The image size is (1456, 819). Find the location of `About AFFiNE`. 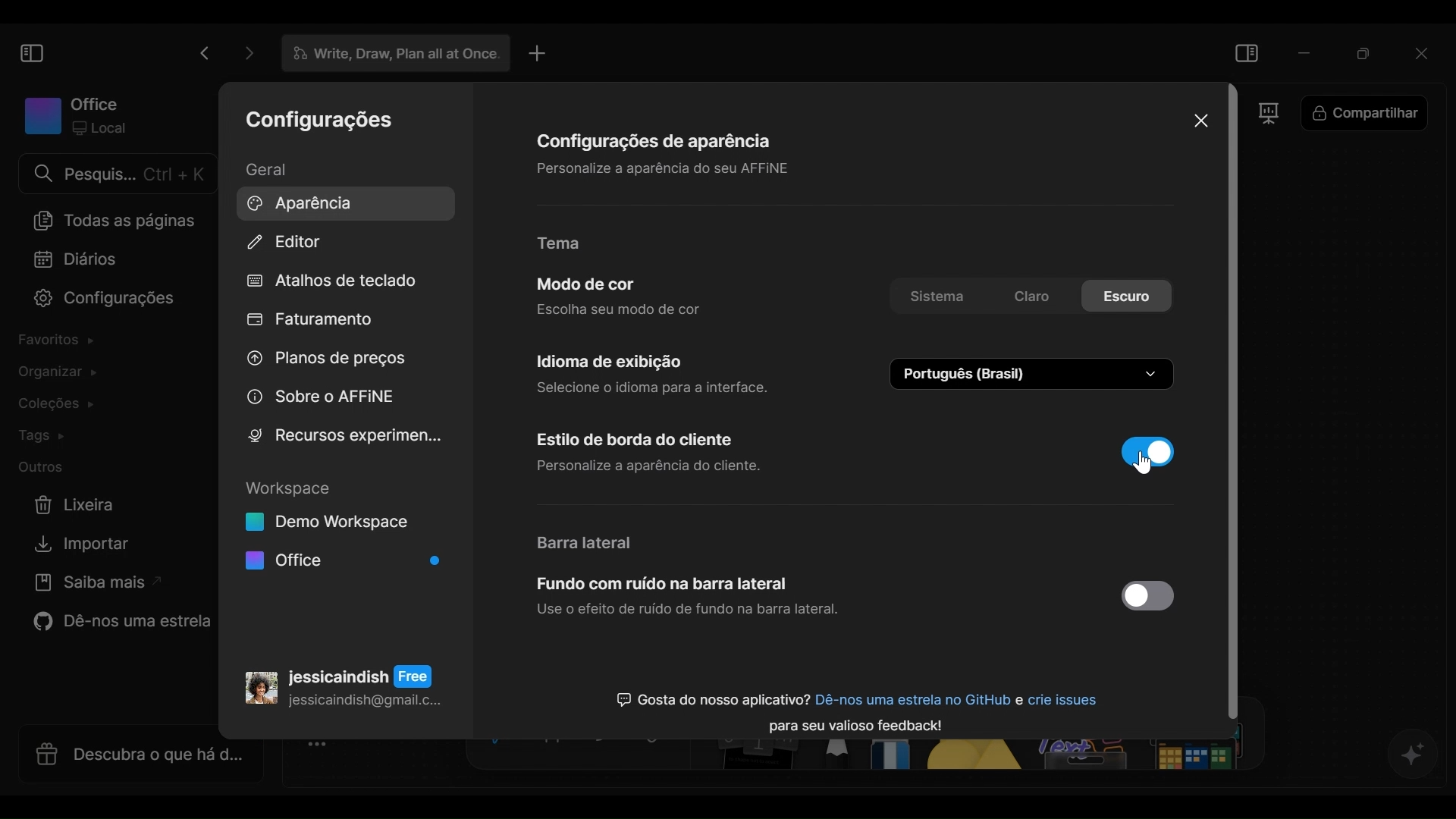

About AFFiNE is located at coordinates (321, 397).